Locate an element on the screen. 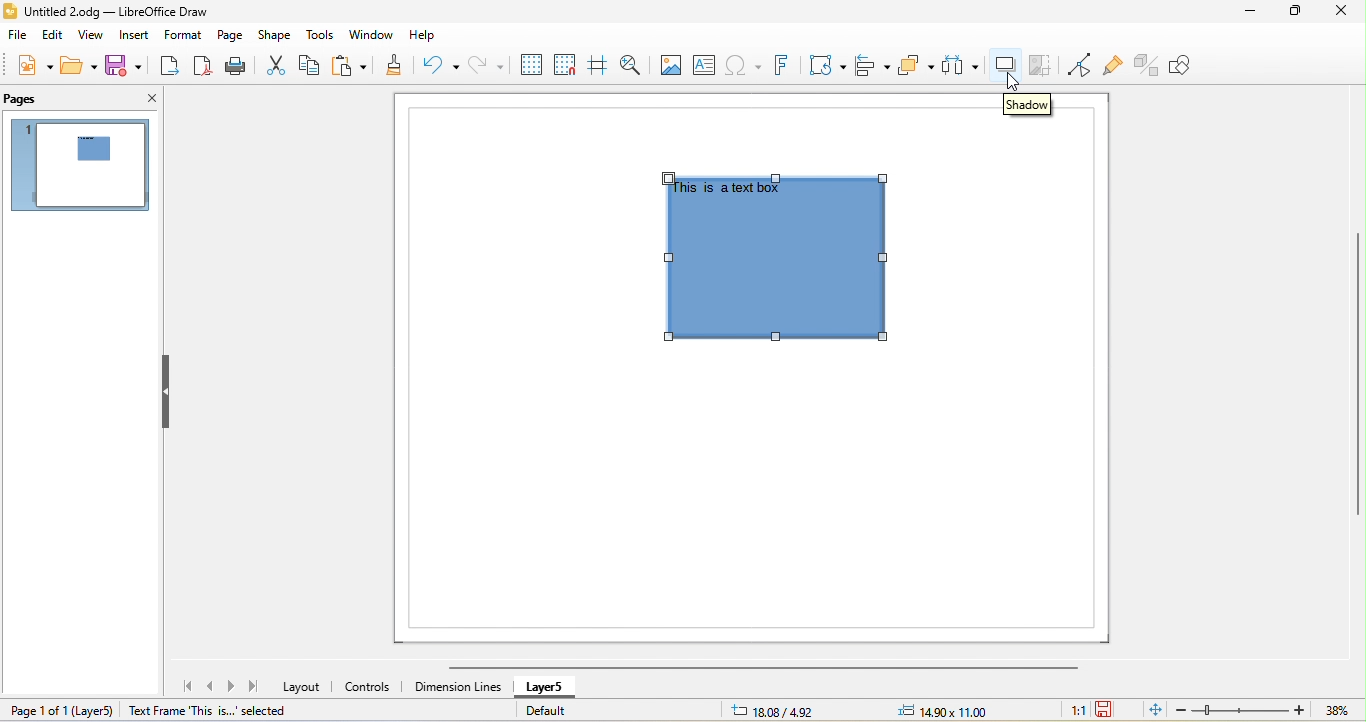  new is located at coordinates (30, 64).